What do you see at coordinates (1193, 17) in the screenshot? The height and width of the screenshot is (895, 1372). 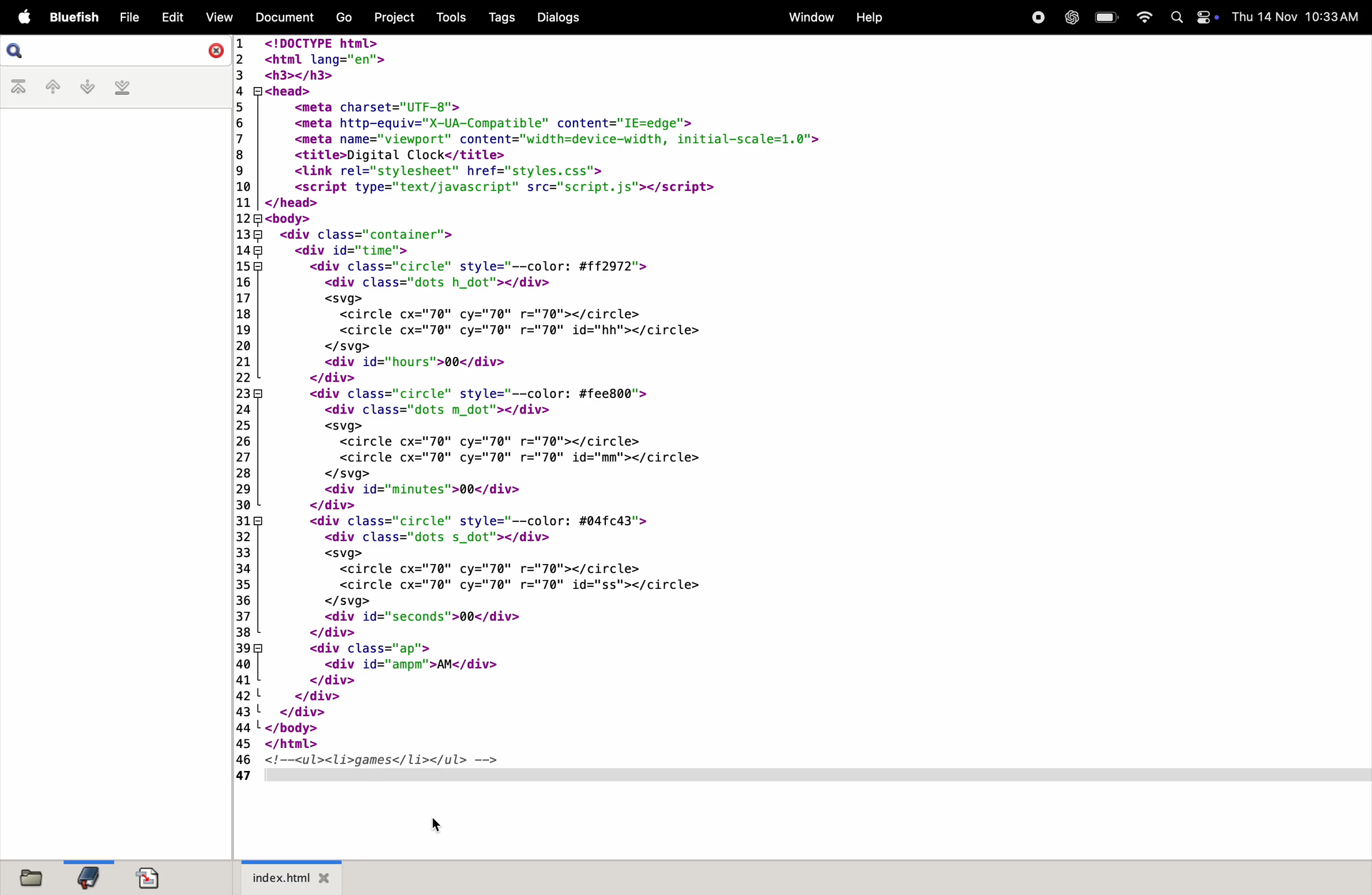 I see `apple widgets` at bounding box center [1193, 17].